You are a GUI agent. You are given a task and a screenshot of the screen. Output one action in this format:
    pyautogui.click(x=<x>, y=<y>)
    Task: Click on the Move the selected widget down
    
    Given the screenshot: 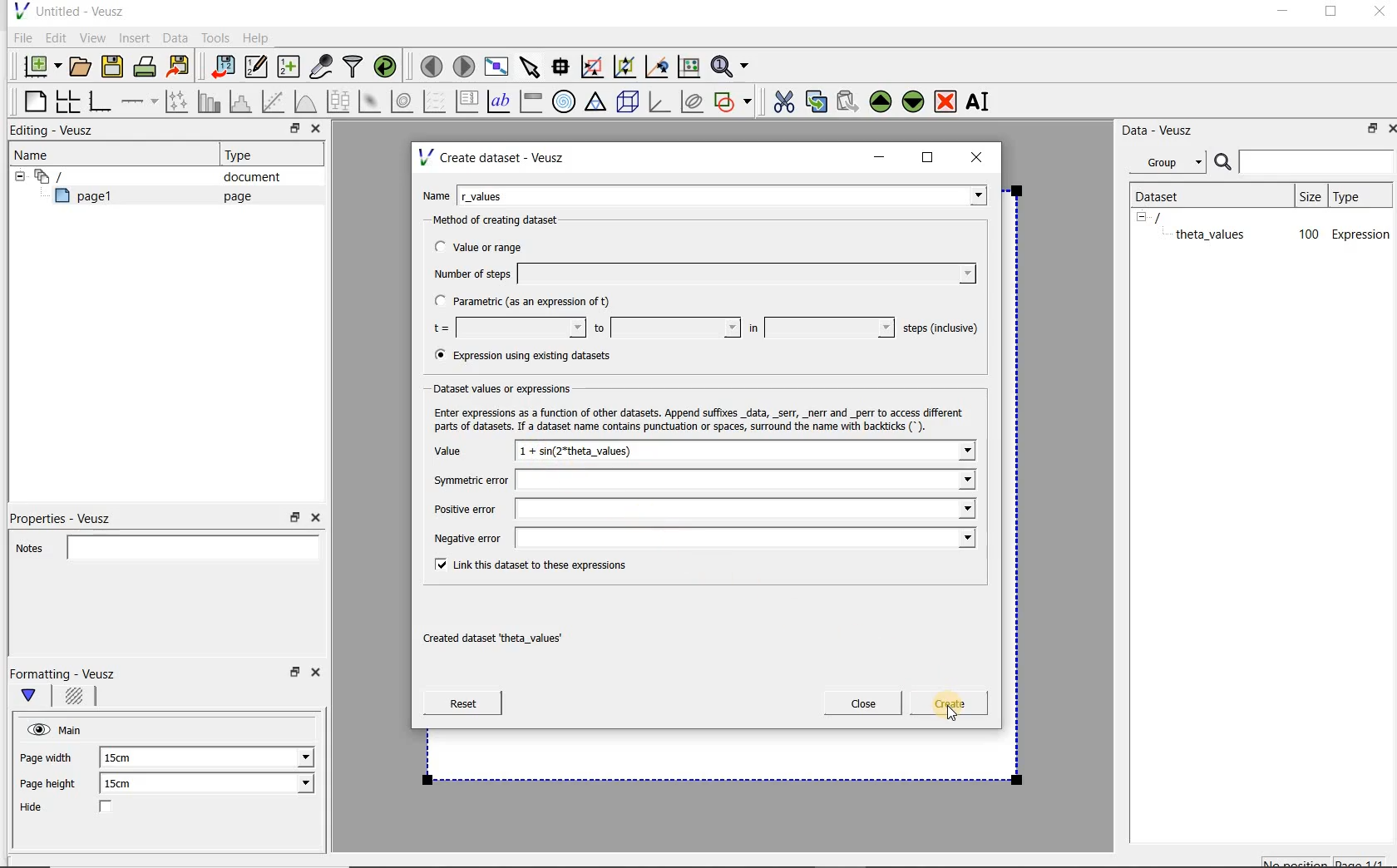 What is the action you would take?
    pyautogui.click(x=914, y=101)
    